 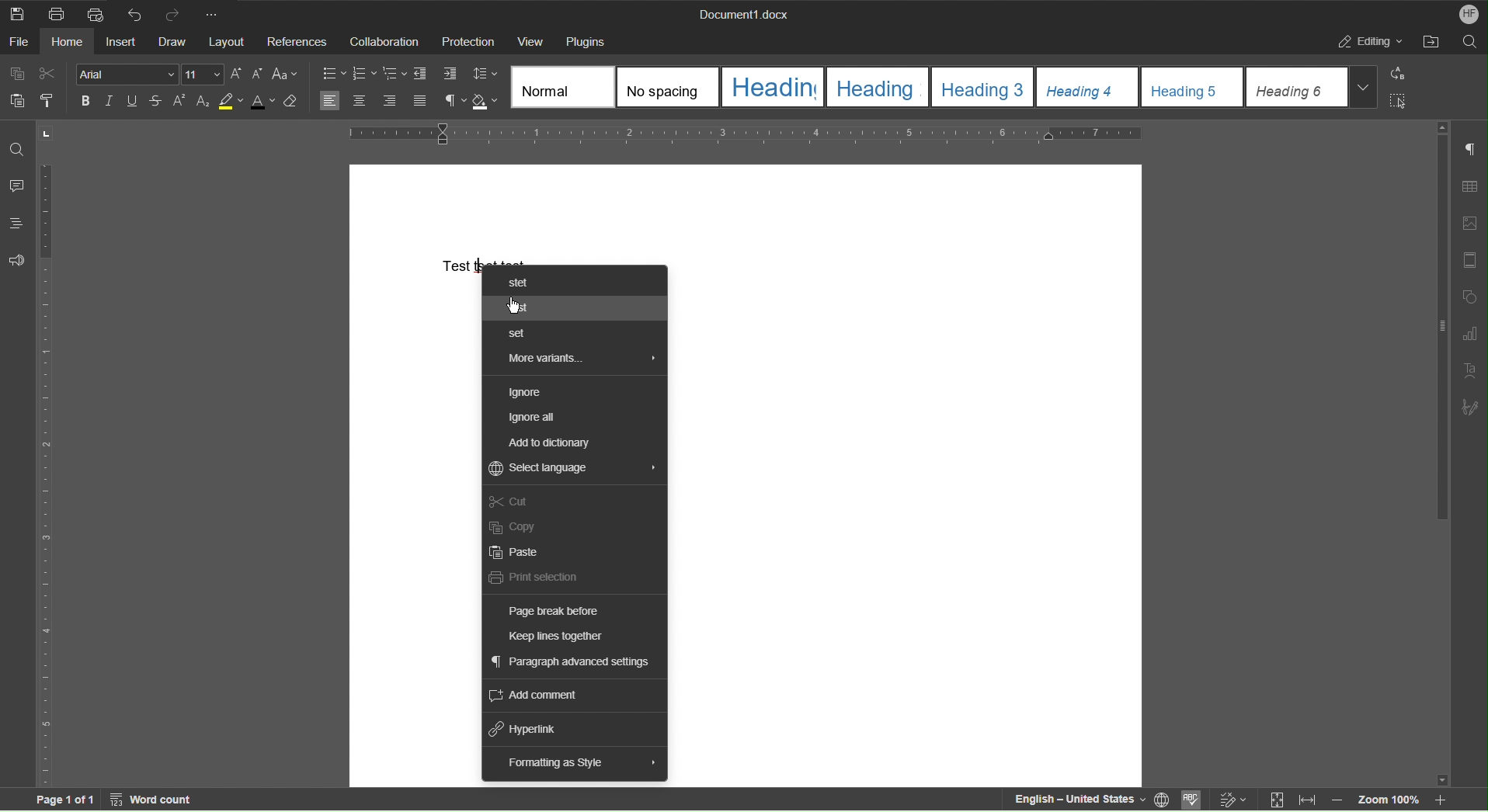 I want to click on Formatting as Style, so click(x=572, y=765).